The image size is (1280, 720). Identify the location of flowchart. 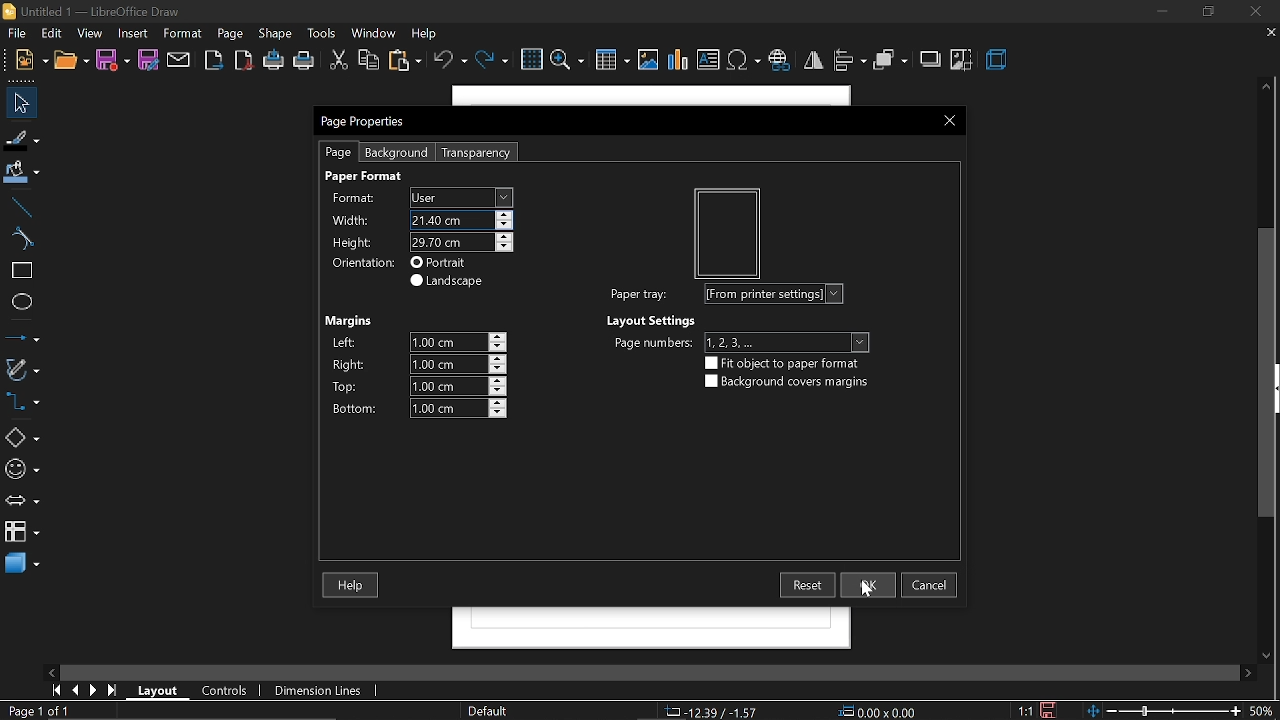
(22, 530).